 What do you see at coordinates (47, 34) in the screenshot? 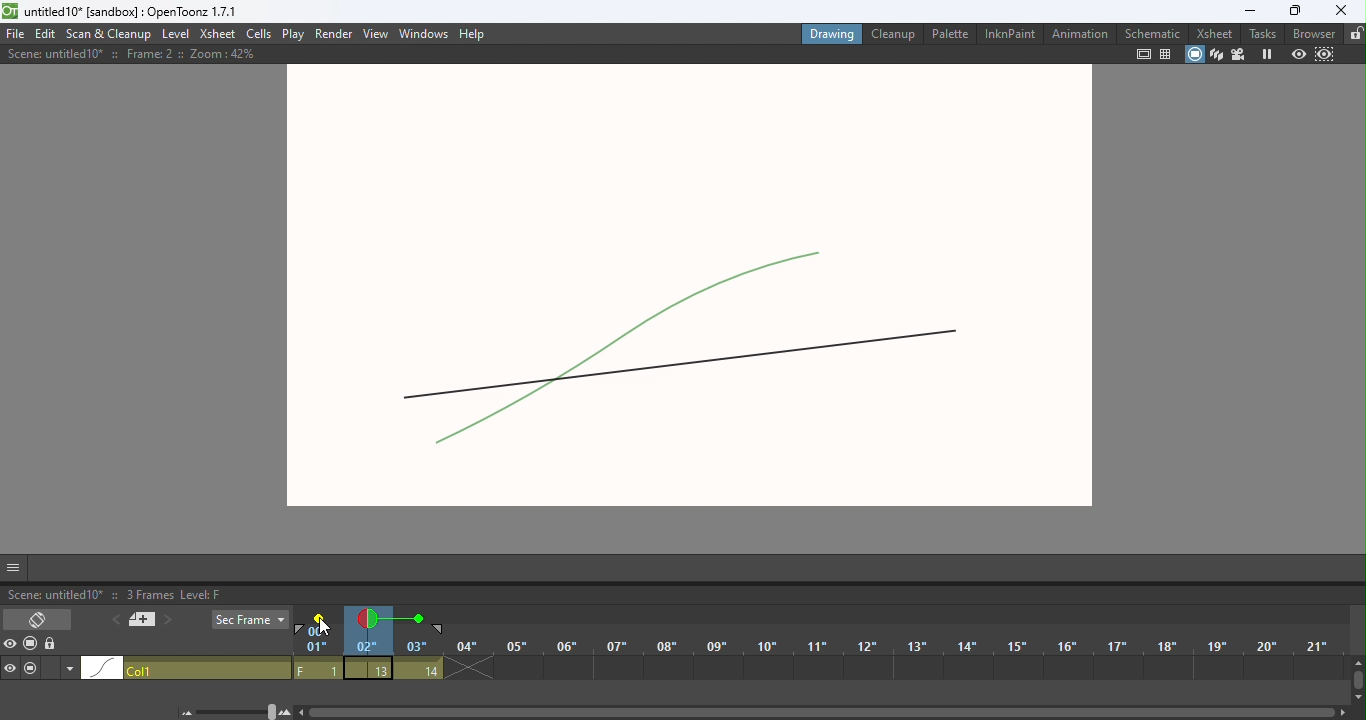
I see `Edit` at bounding box center [47, 34].